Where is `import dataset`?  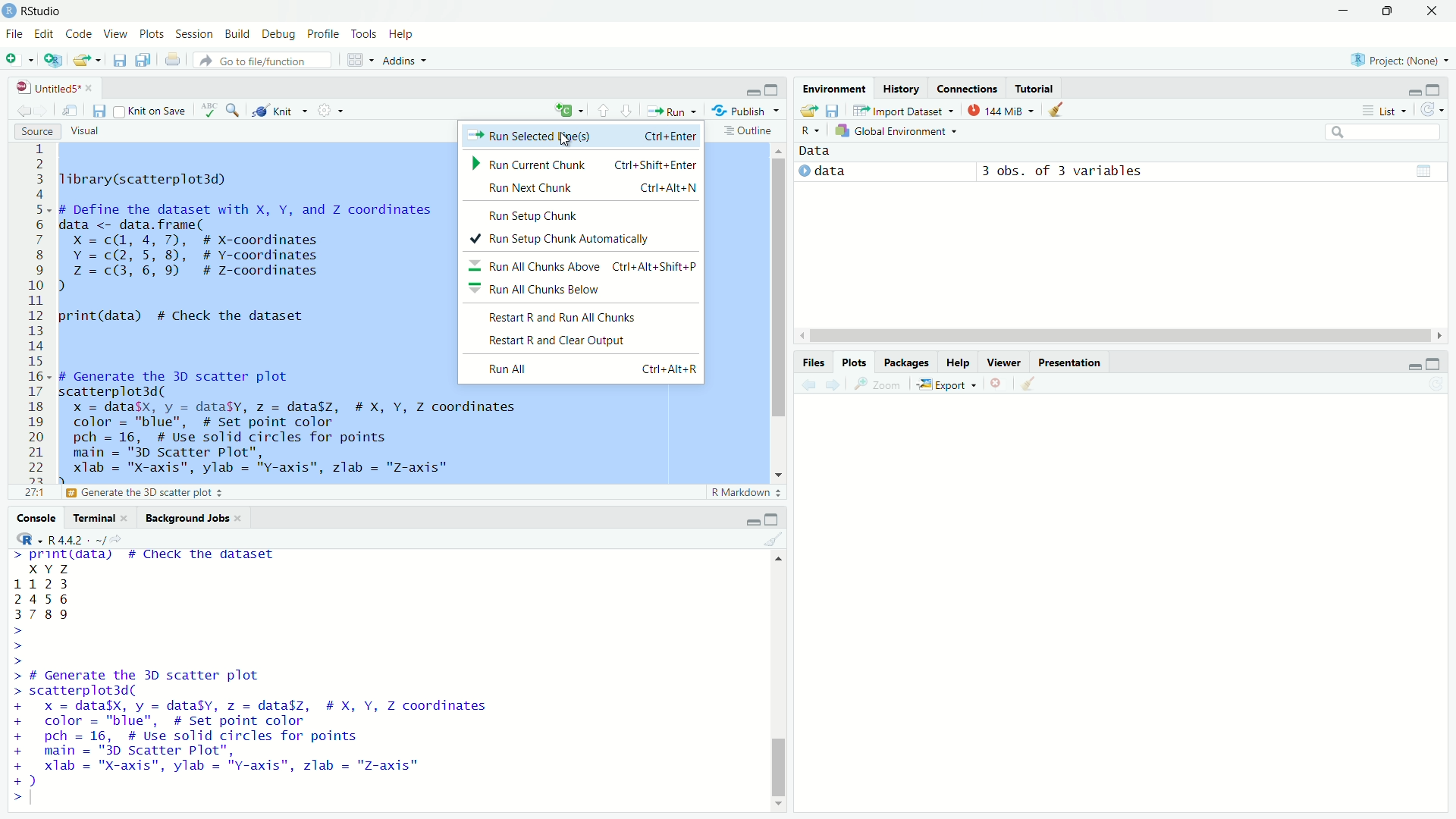
import dataset is located at coordinates (903, 110).